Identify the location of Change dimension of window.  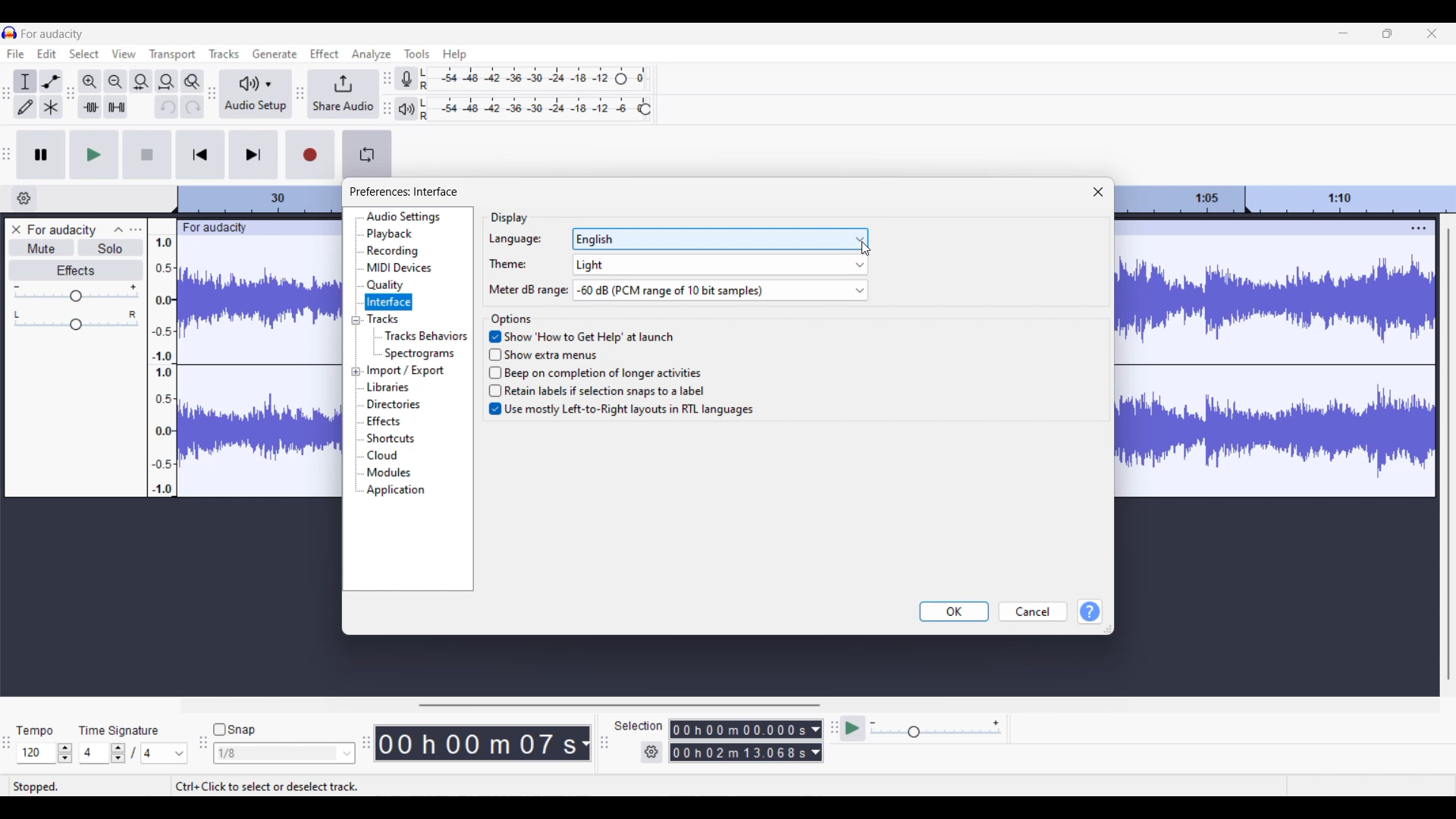
(1109, 629).